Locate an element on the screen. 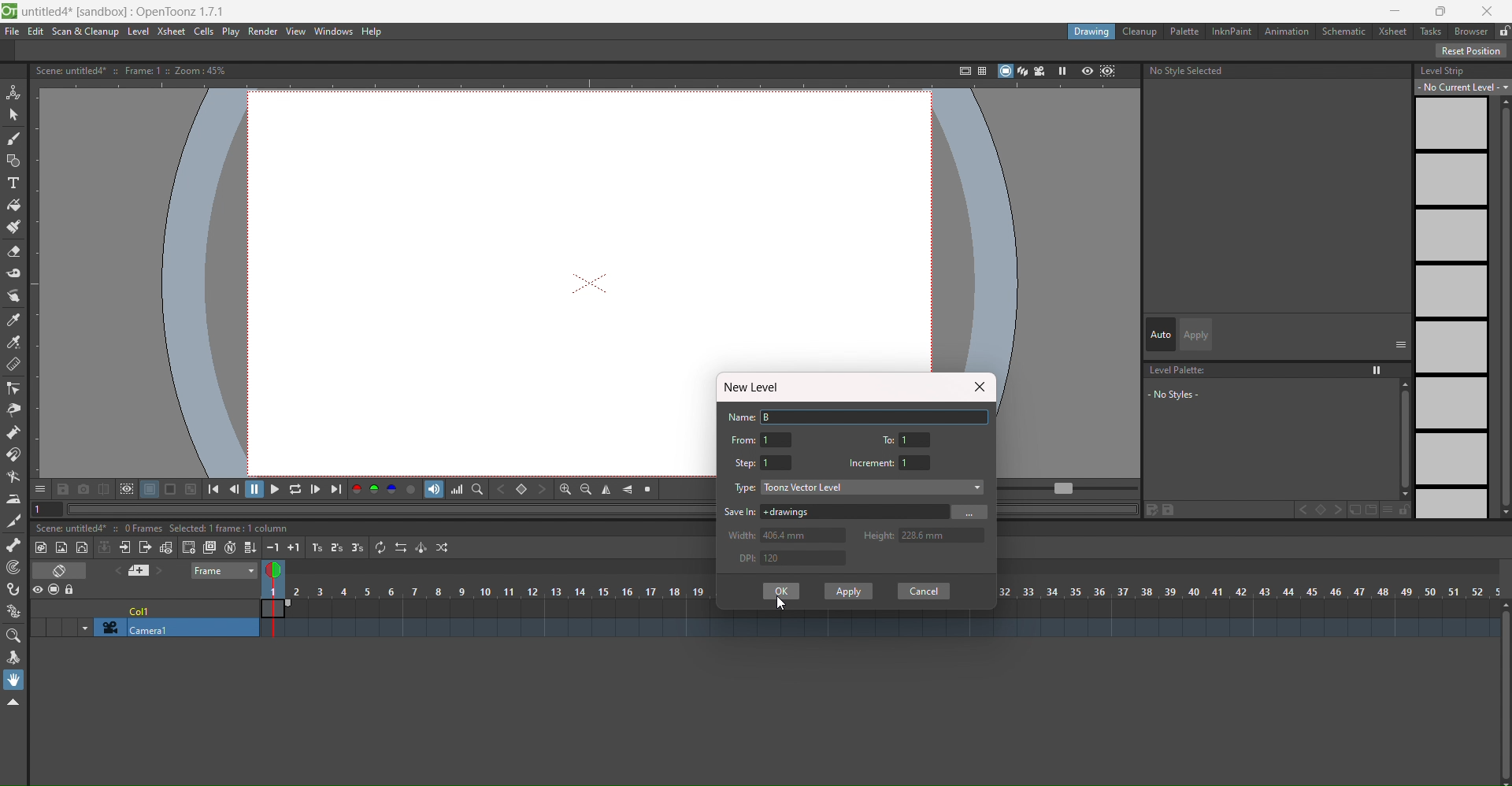 This screenshot has height=786, width=1512. geometric tool is located at coordinates (13, 162).